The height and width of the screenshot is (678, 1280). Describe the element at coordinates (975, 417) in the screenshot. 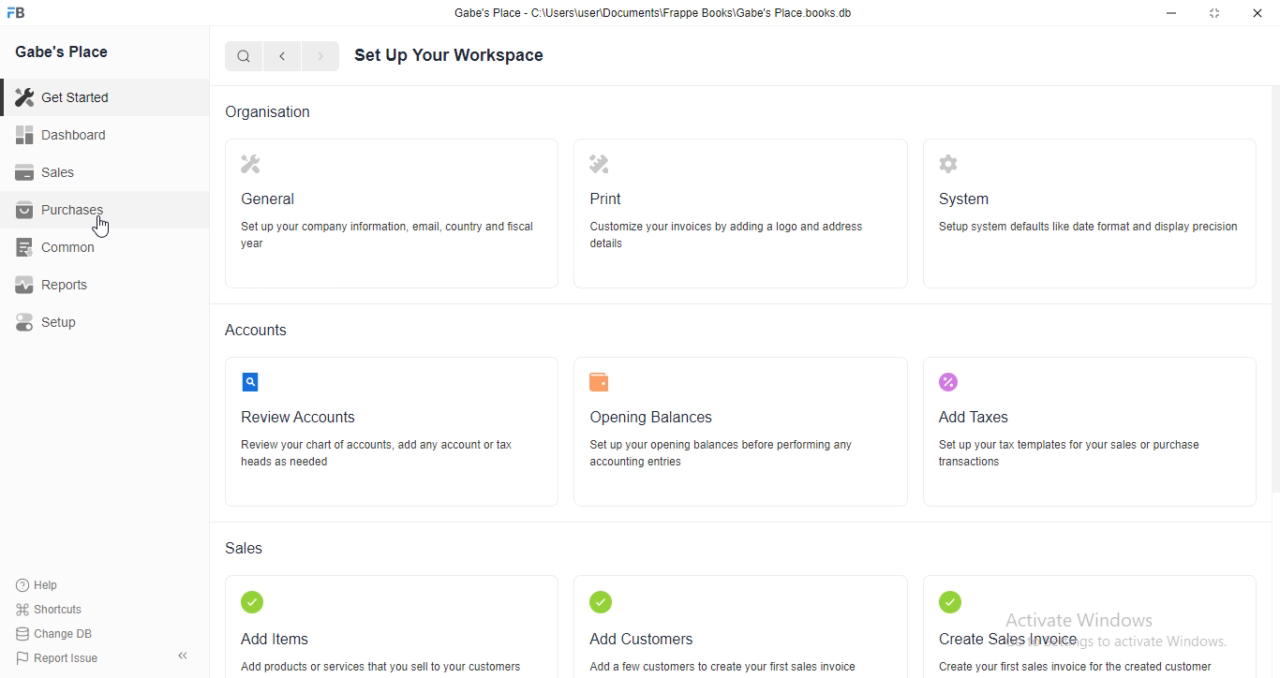

I see `Add Taxes` at that location.